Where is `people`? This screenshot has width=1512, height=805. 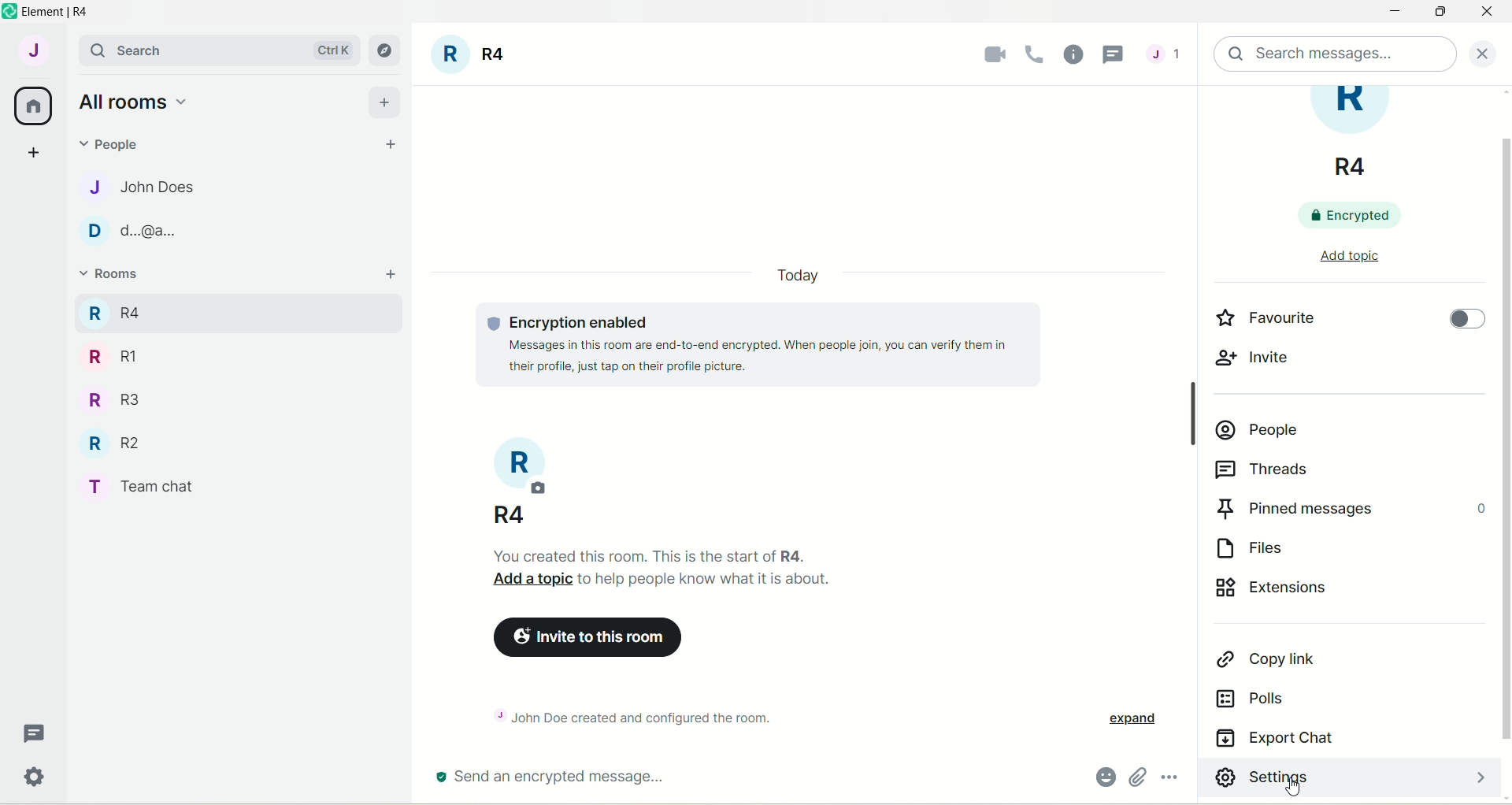
people is located at coordinates (115, 143).